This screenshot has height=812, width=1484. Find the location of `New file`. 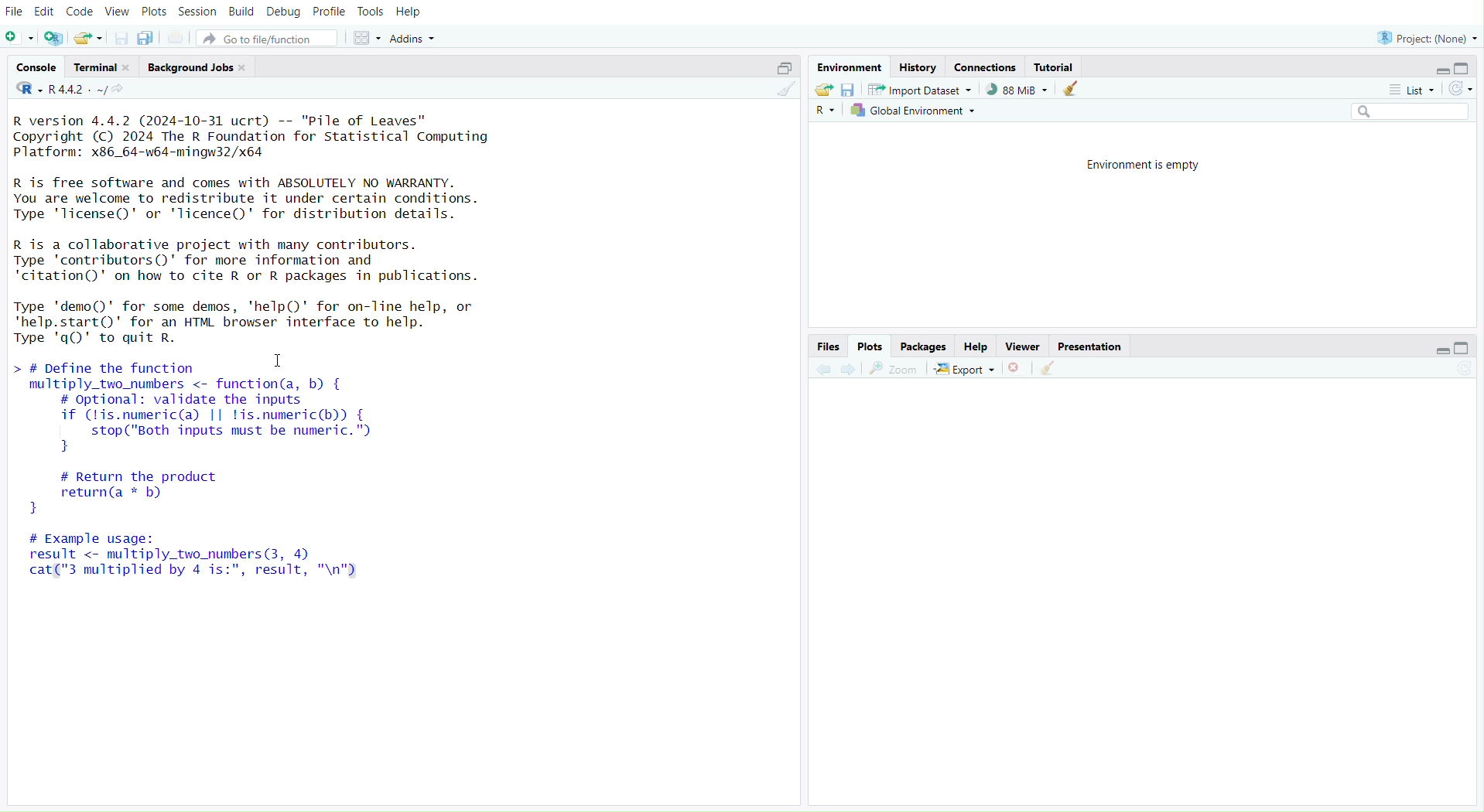

New file is located at coordinates (19, 37).